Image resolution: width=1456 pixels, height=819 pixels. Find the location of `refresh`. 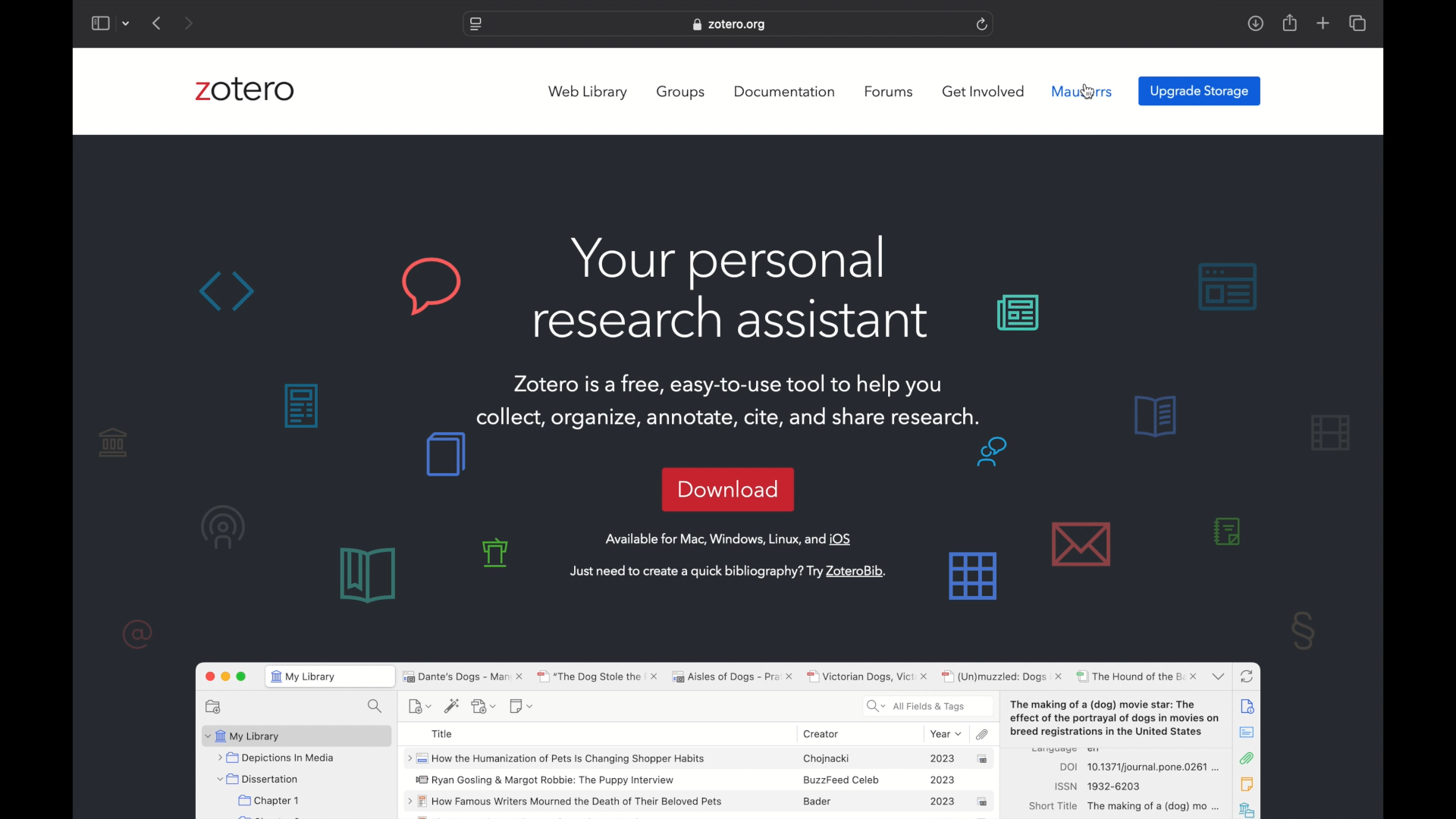

refresh is located at coordinates (984, 24).